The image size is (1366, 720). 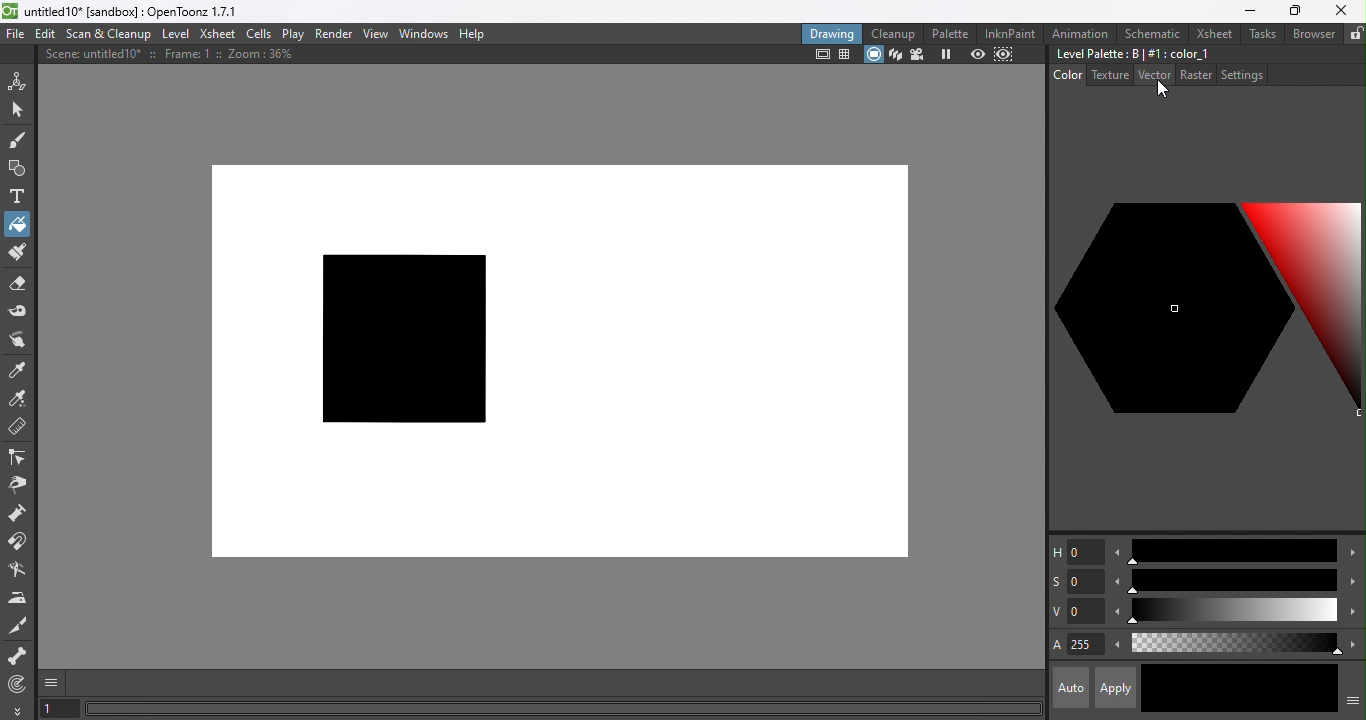 I want to click on Paint brush tool, so click(x=16, y=254).